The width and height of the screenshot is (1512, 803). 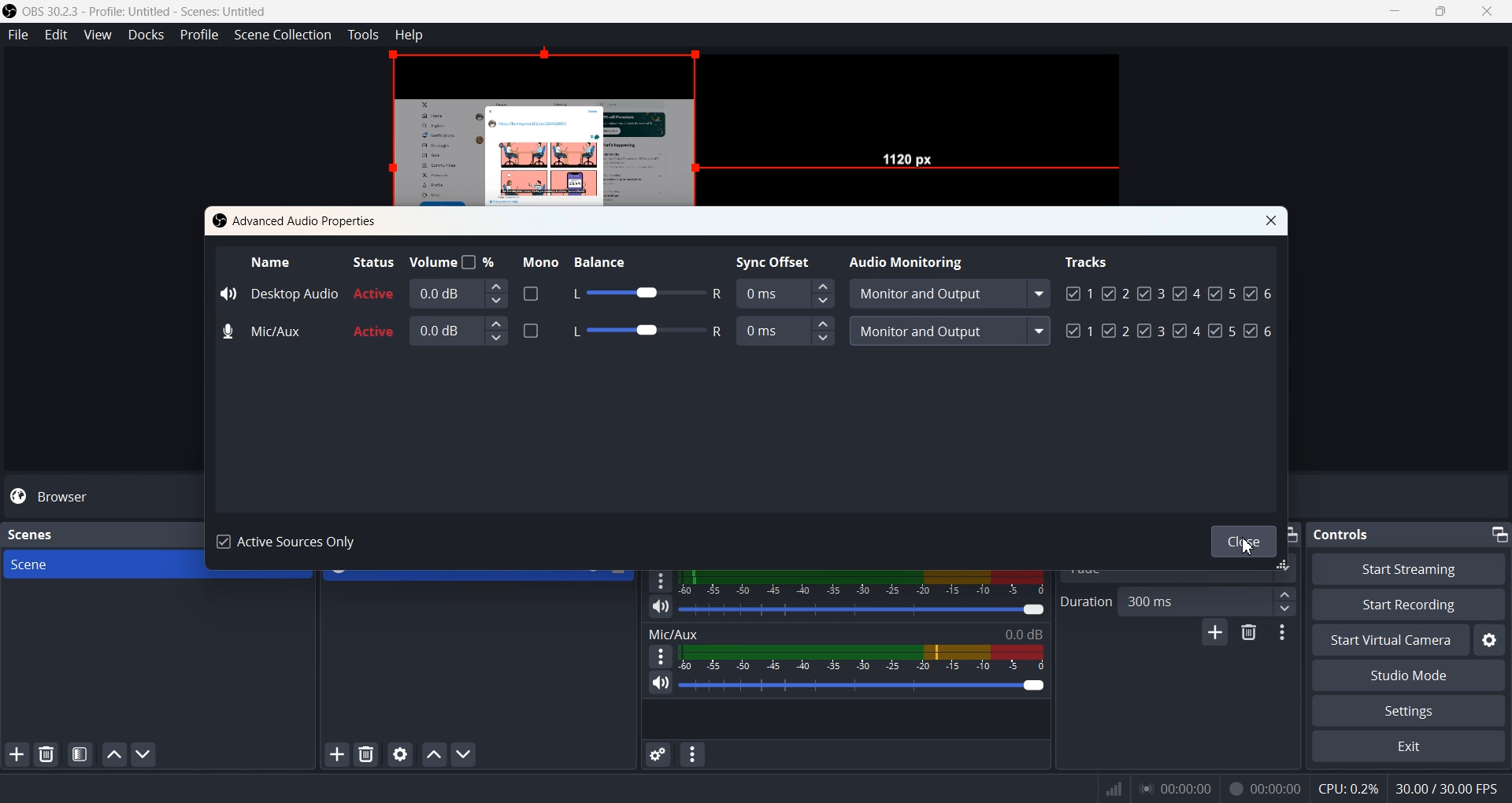 What do you see at coordinates (1088, 261) in the screenshot?
I see `Tracks` at bounding box center [1088, 261].